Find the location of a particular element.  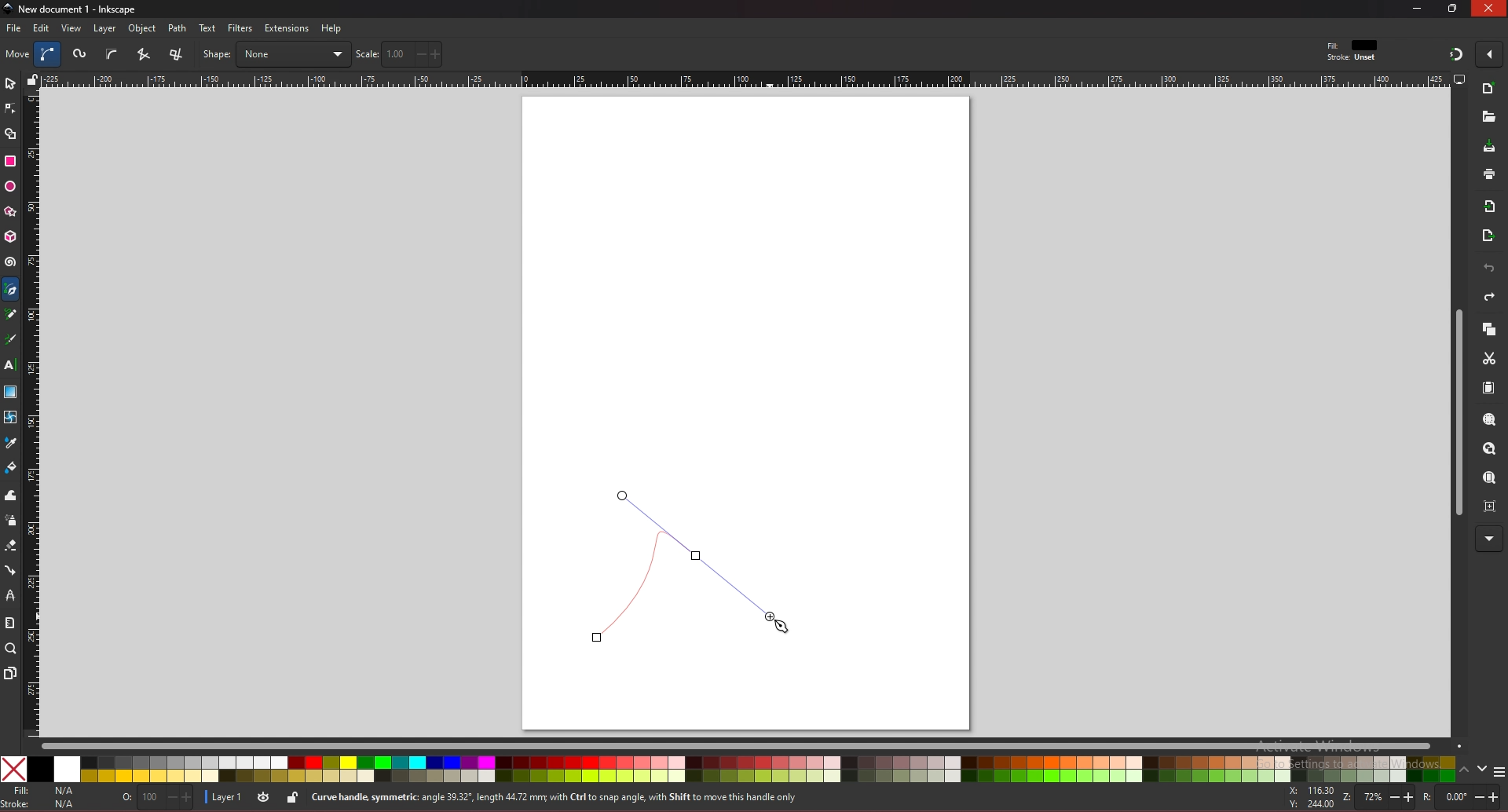

undo is located at coordinates (1489, 269).